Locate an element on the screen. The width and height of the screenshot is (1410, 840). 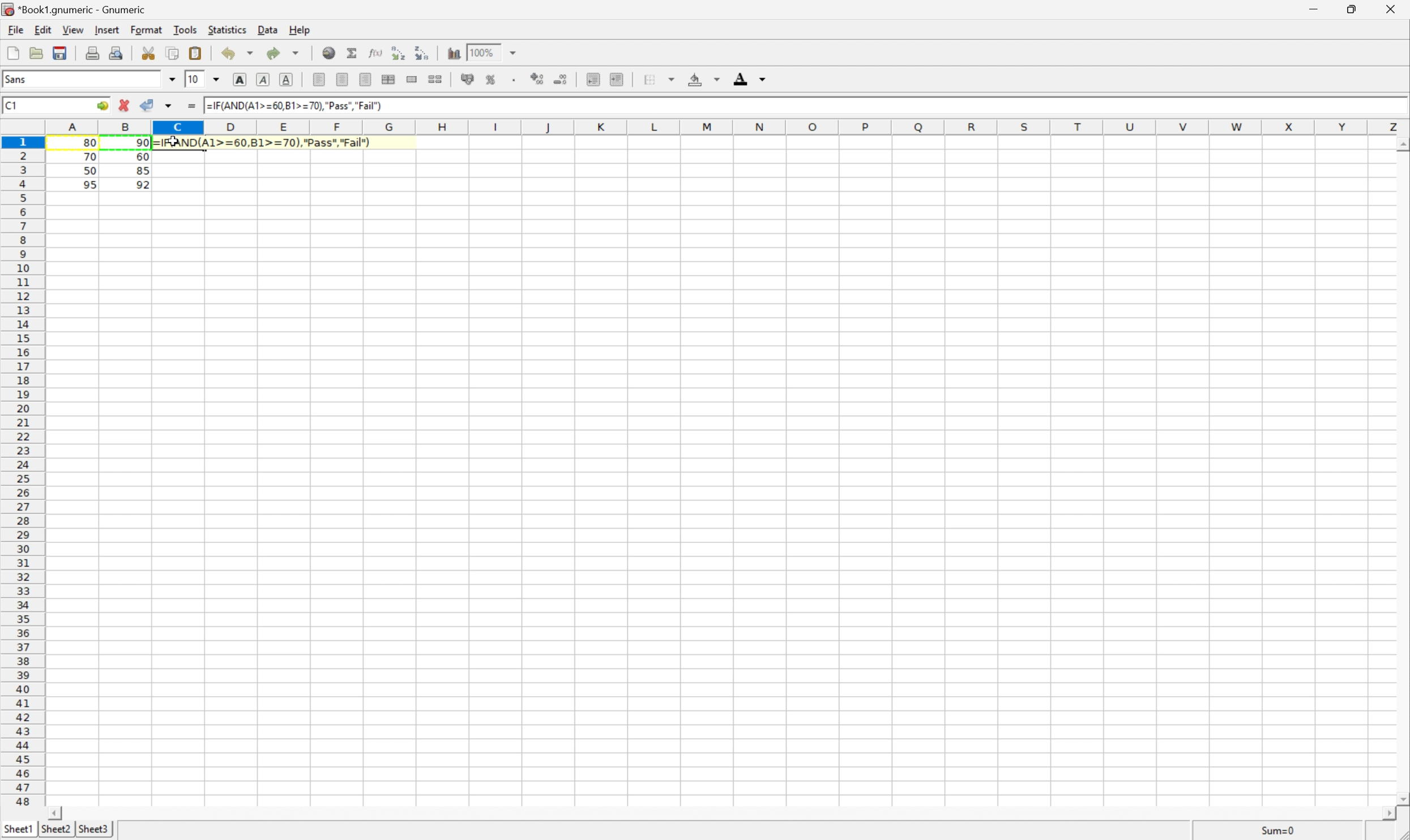
60 is located at coordinates (142, 156).